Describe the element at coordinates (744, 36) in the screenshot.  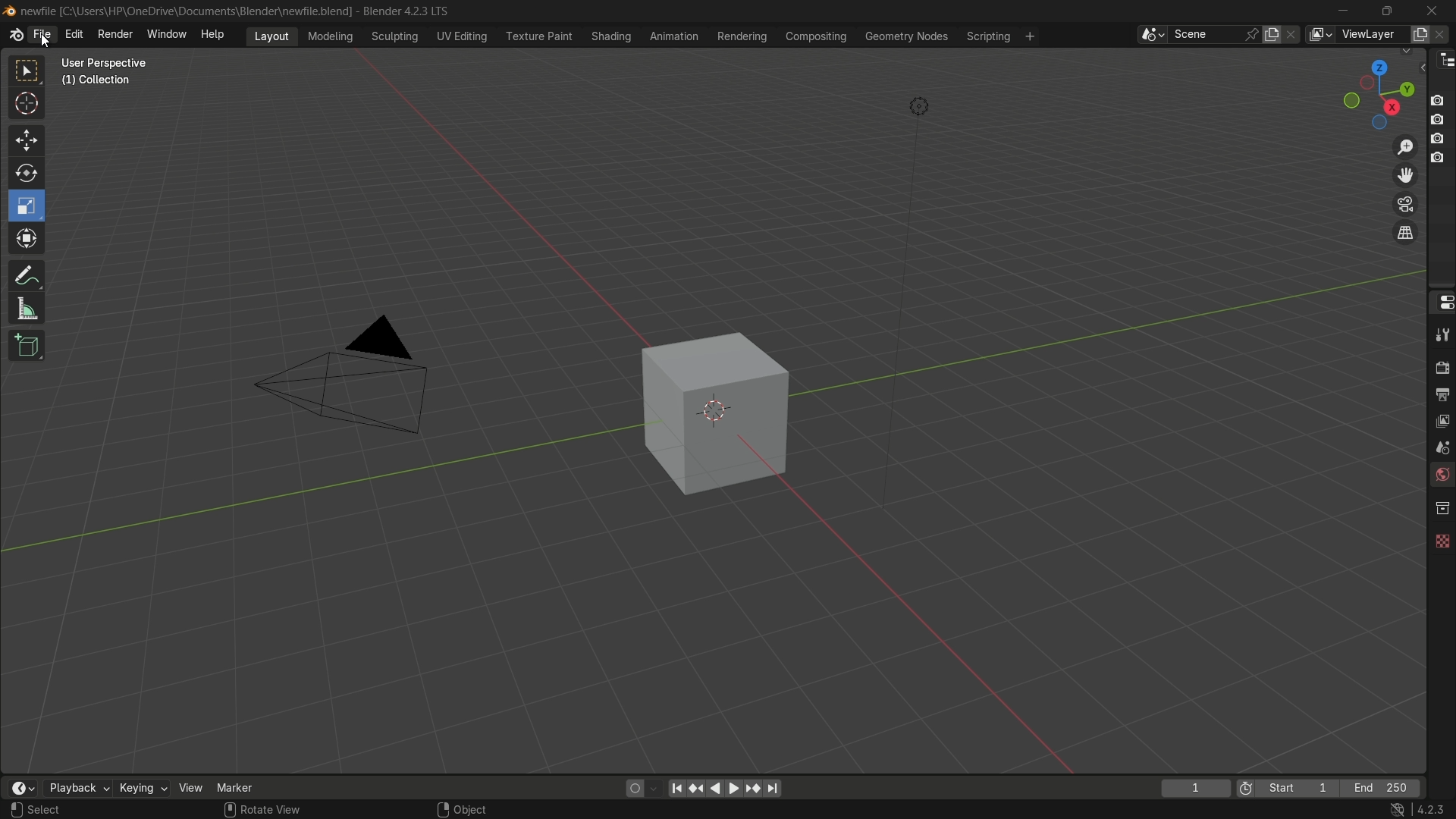
I see `rendering menu` at that location.